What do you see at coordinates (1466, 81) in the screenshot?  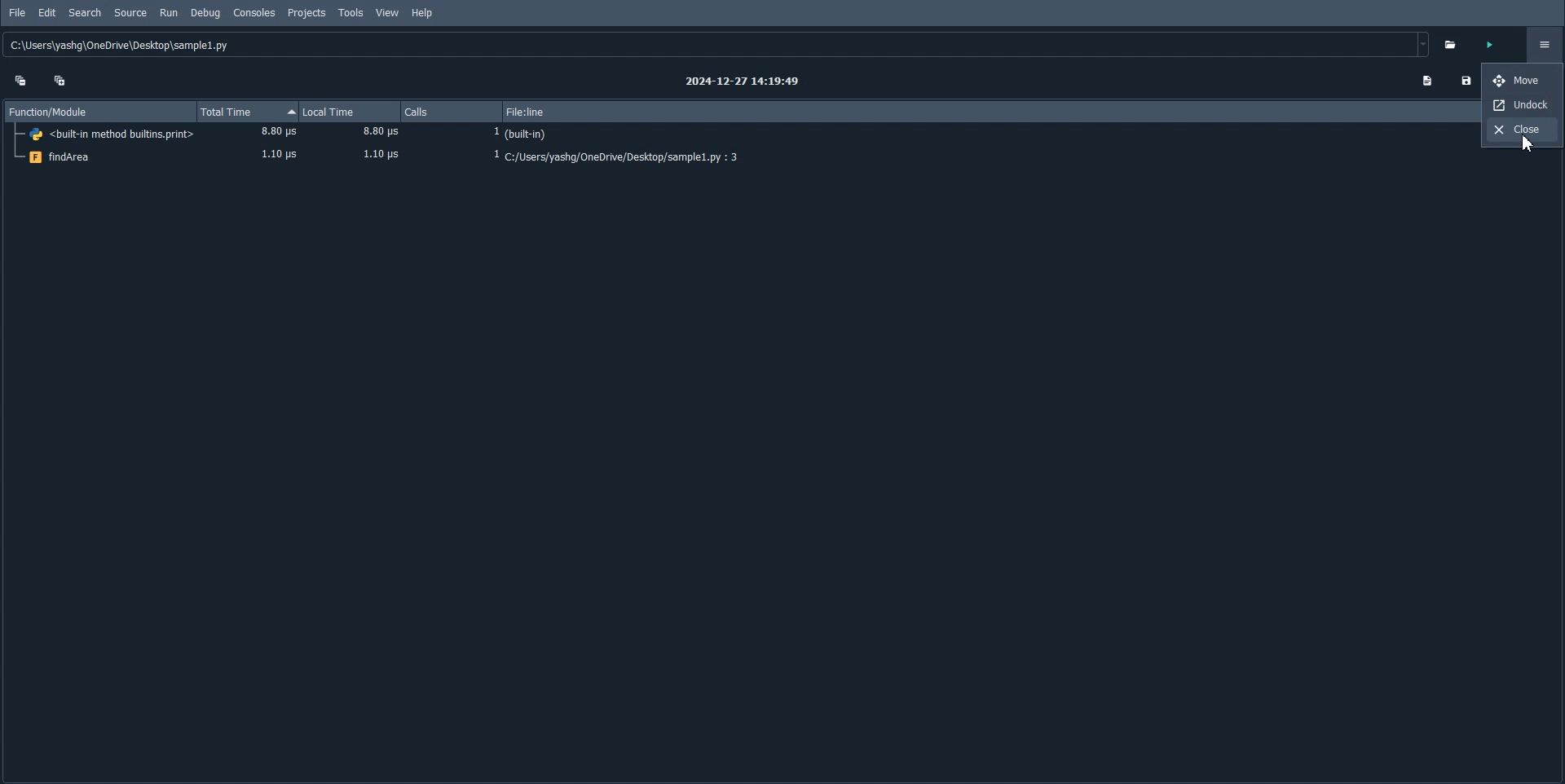 I see `Save profiling data` at bounding box center [1466, 81].